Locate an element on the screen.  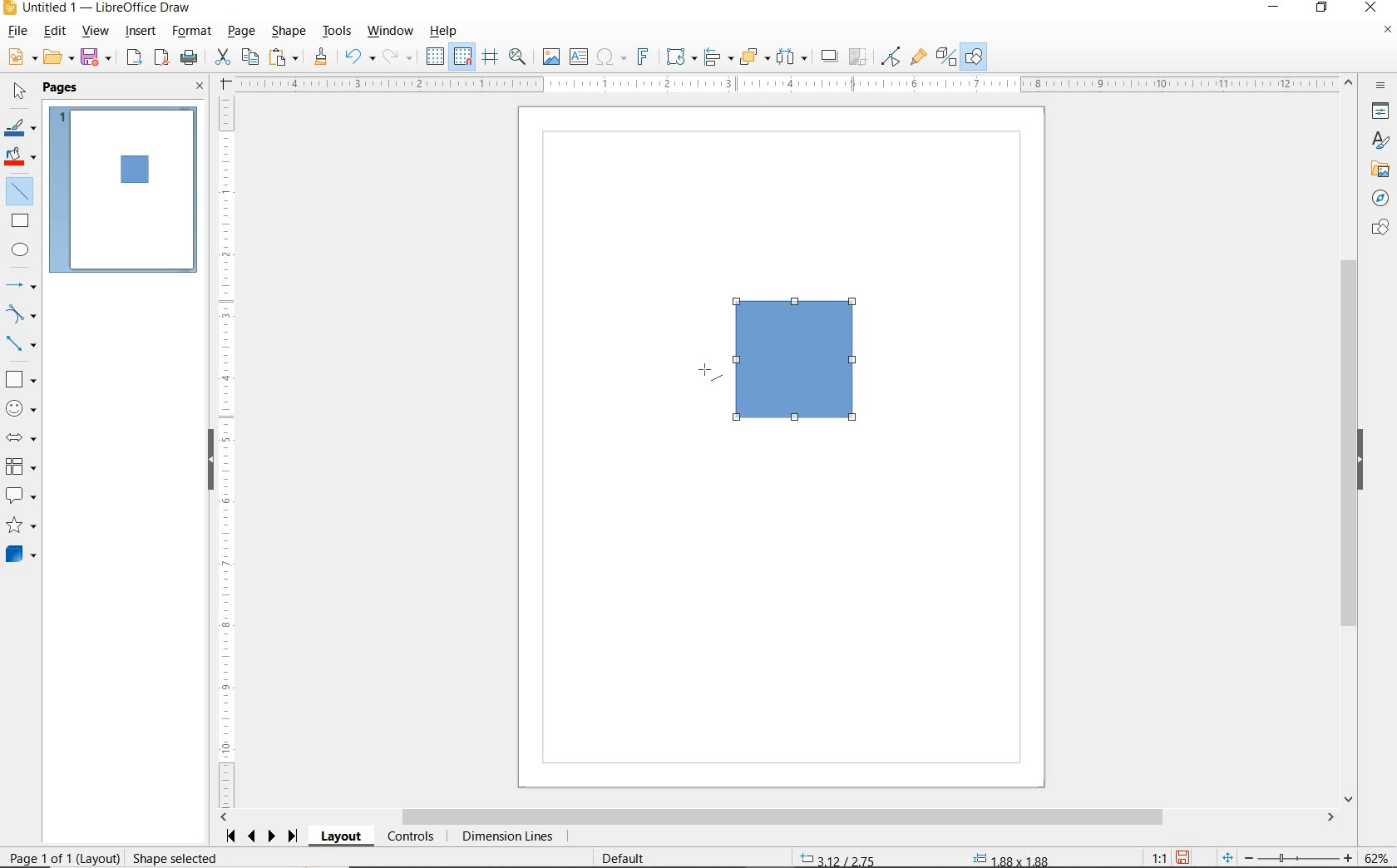
SCROLL NEXT is located at coordinates (263, 836).